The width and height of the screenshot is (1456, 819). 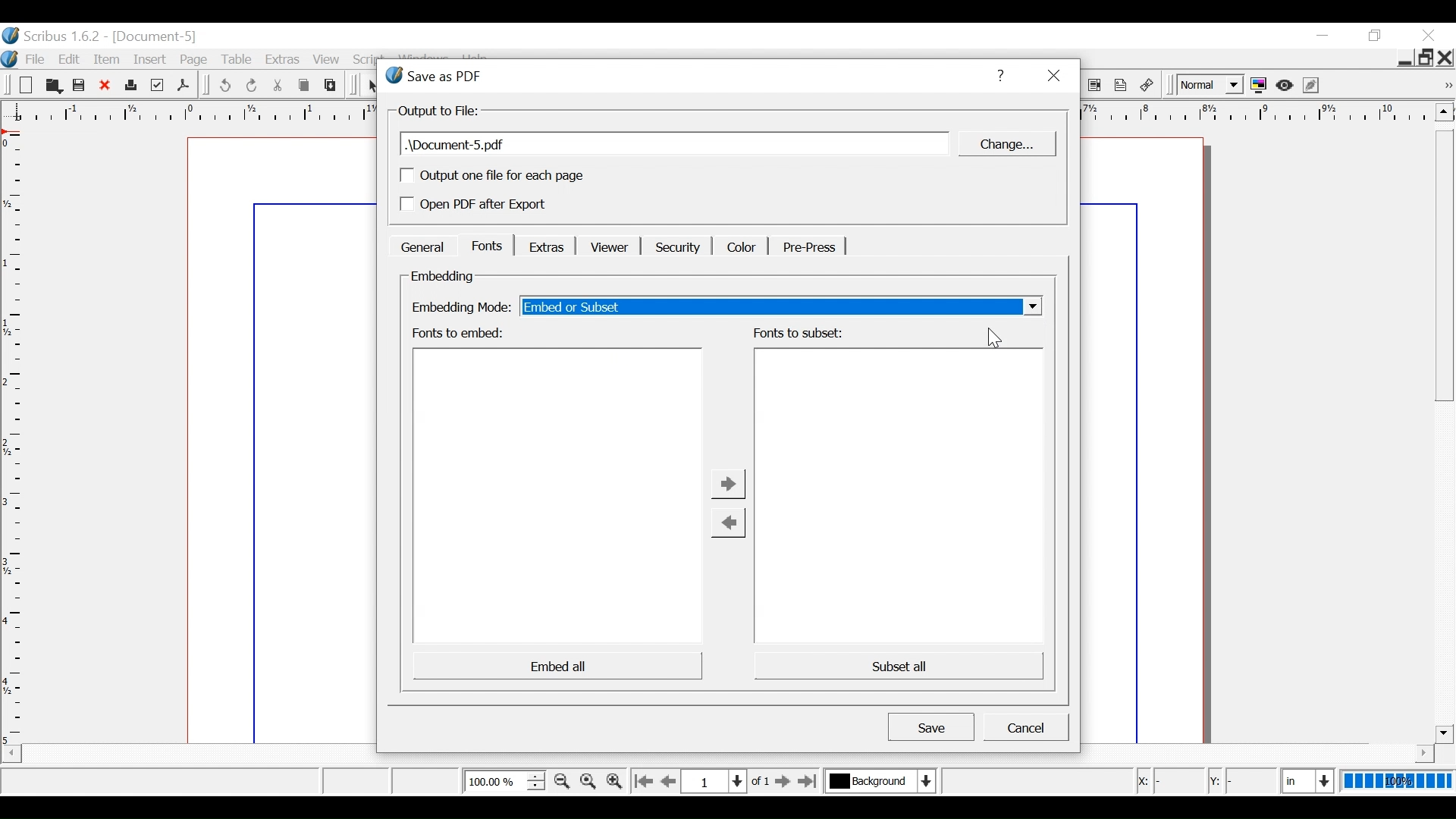 I want to click on Open, so click(x=24, y=86).